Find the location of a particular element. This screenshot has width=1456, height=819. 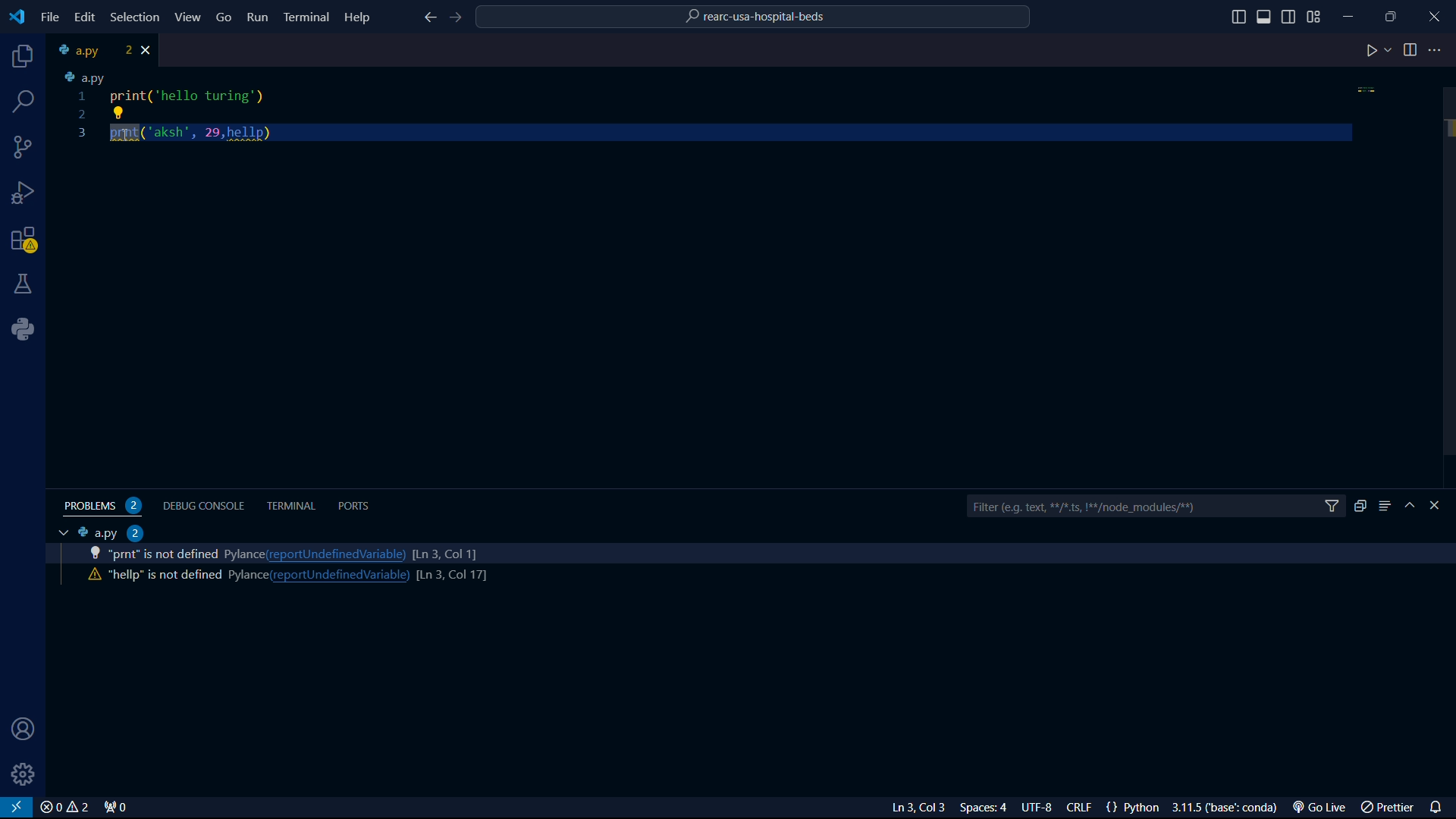

duplicate is located at coordinates (1360, 506).